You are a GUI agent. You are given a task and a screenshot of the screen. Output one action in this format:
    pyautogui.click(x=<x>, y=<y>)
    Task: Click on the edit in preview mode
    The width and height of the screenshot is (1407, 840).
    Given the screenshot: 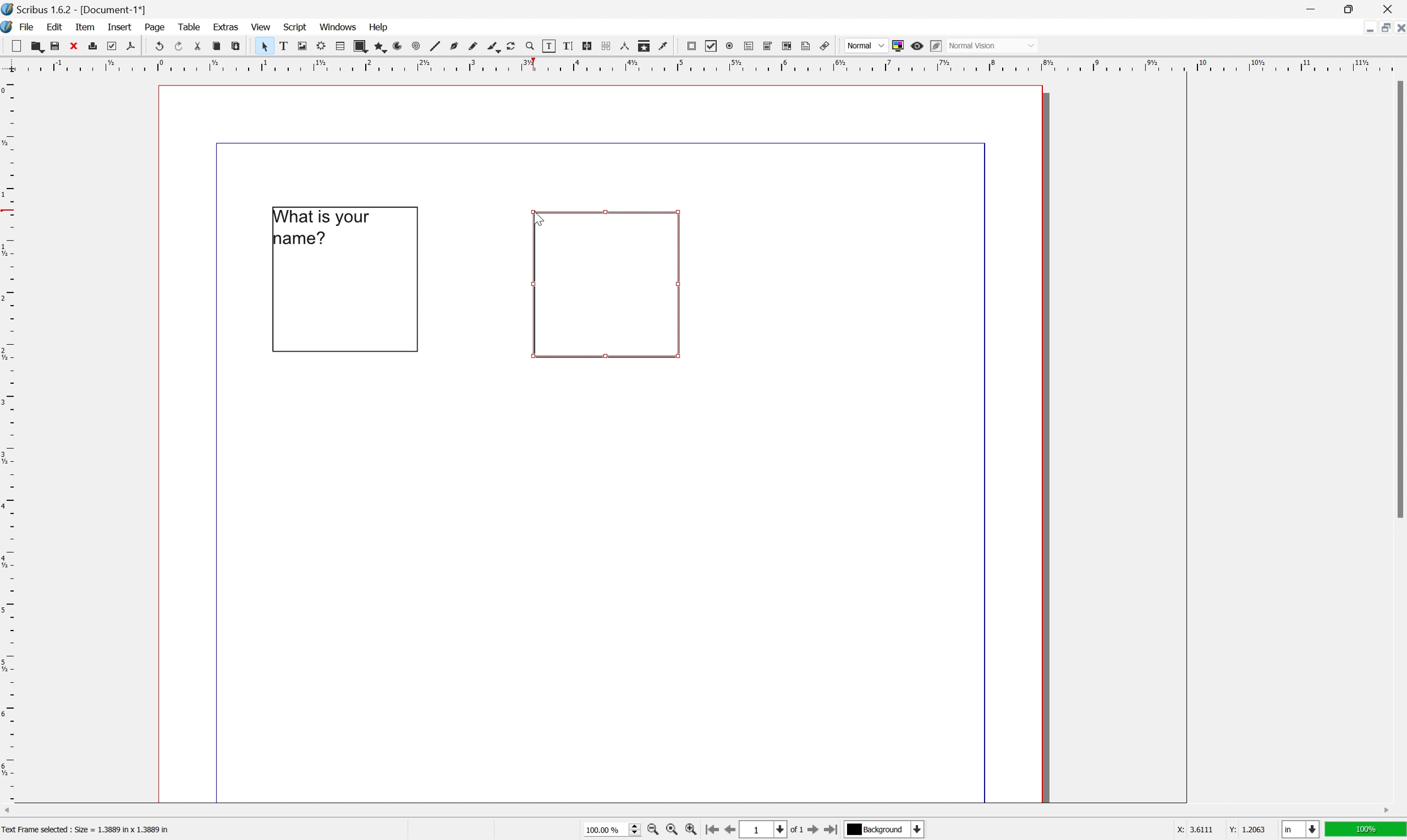 What is the action you would take?
    pyautogui.click(x=935, y=45)
    